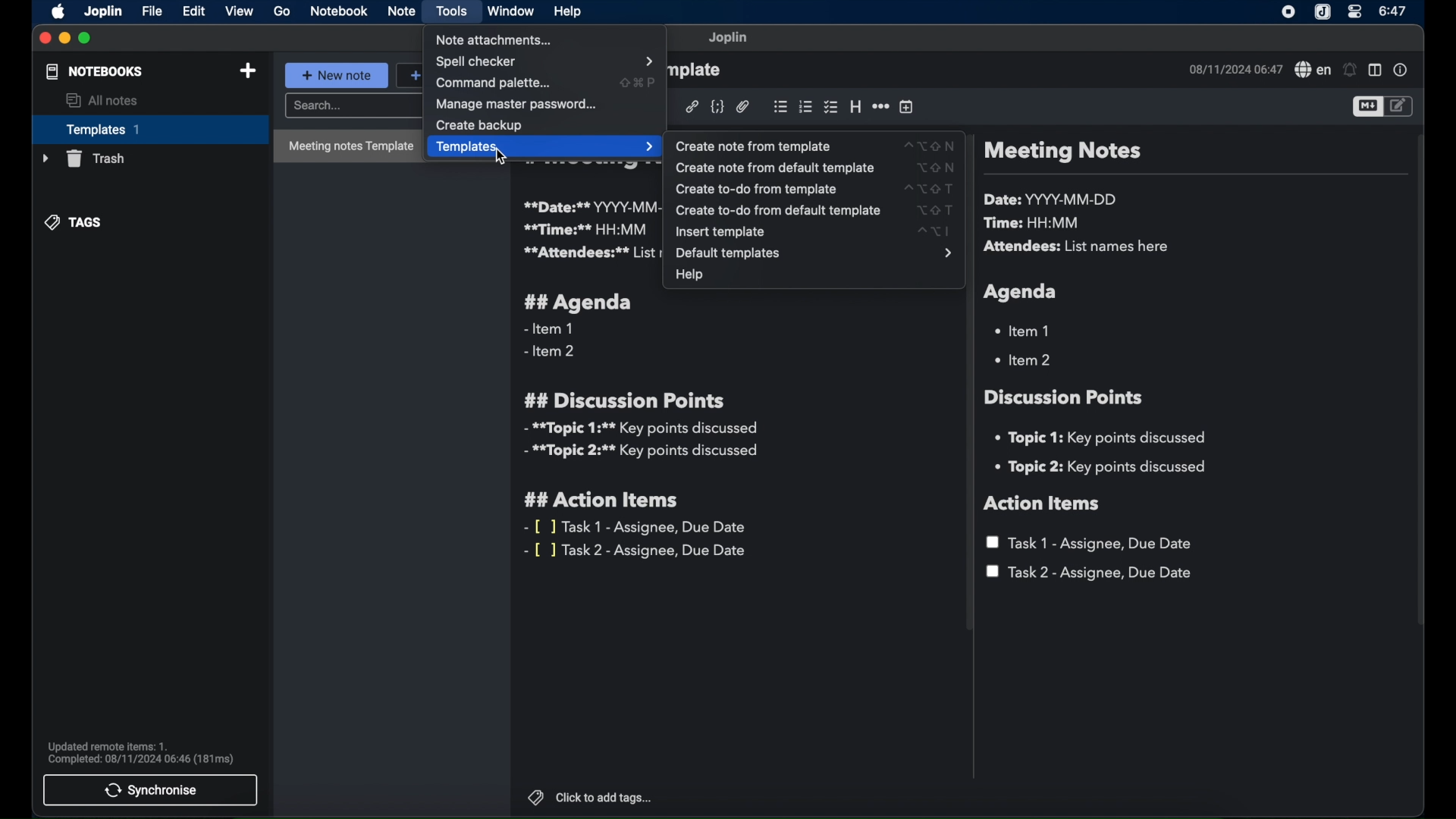  What do you see at coordinates (240, 11) in the screenshot?
I see `view` at bounding box center [240, 11].